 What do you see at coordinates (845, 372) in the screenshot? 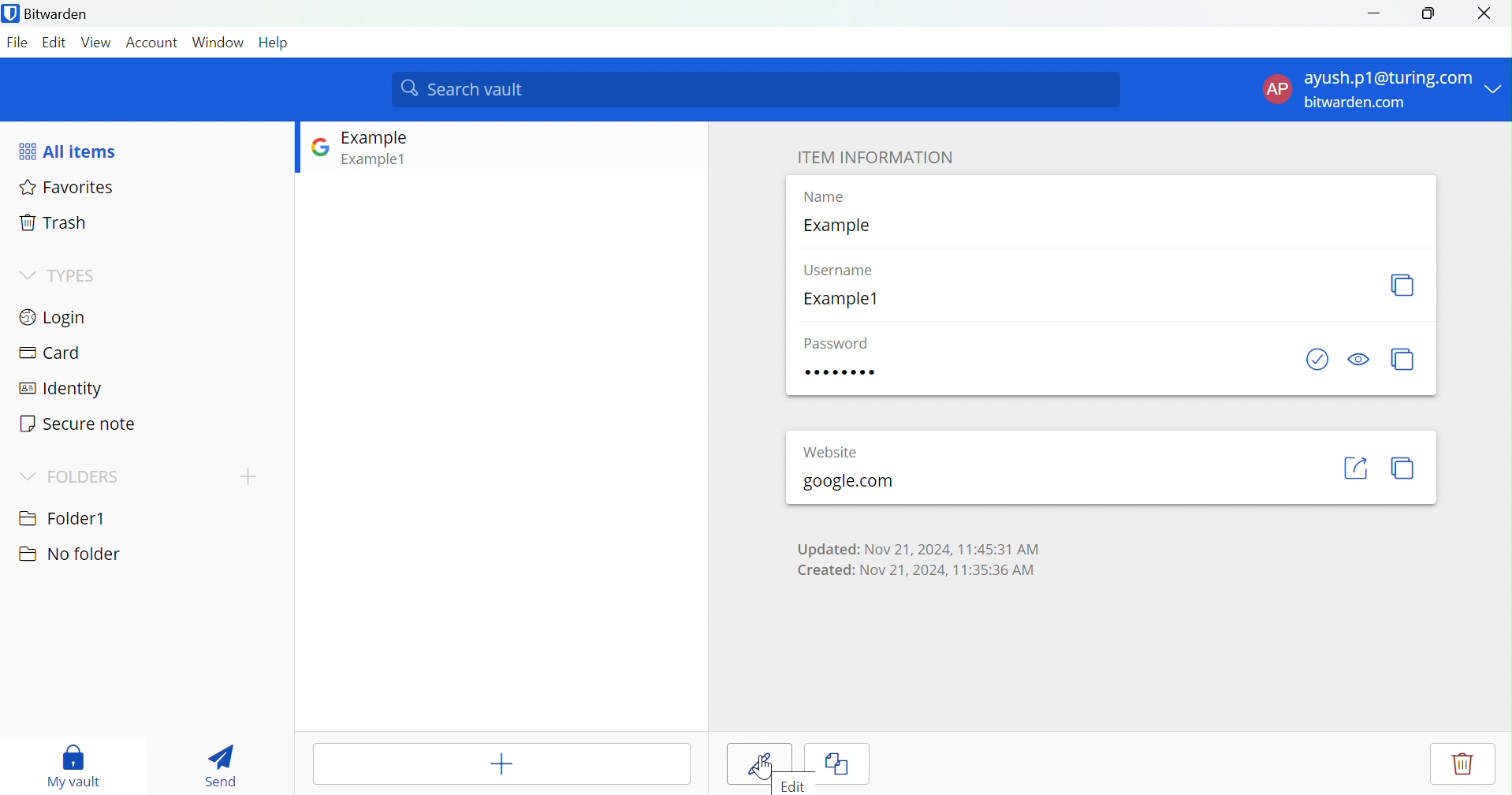
I see `Password` at bounding box center [845, 372].